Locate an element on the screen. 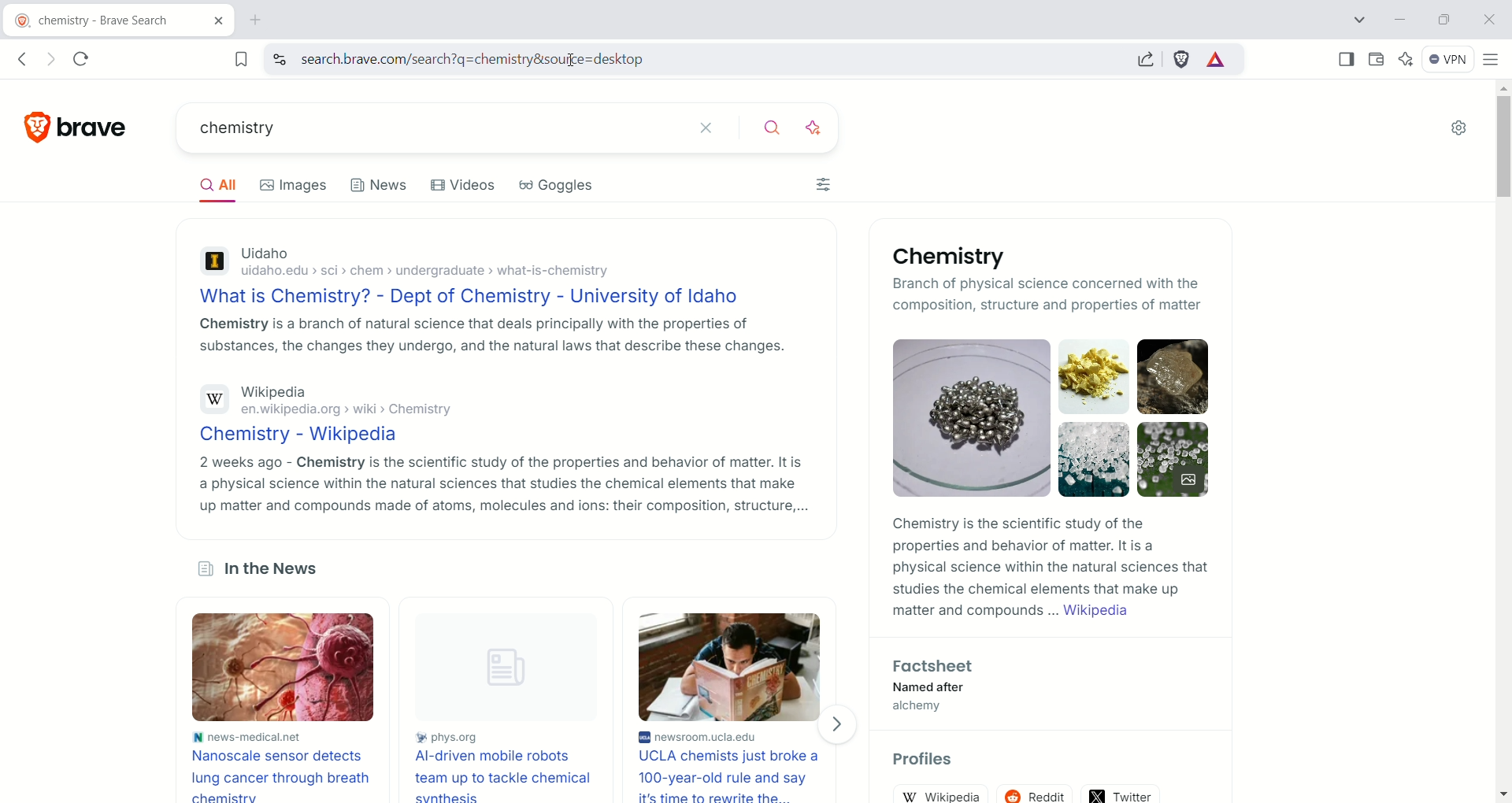  2 weeks ago - Chemistry is the scientific study of the properties and behavior of matter. It is a physical science within the natural sciences that studies the chemical elements that make up matter and compounds made of atoms, molecules and ions: their composition, structure,... is located at coordinates (502, 484).